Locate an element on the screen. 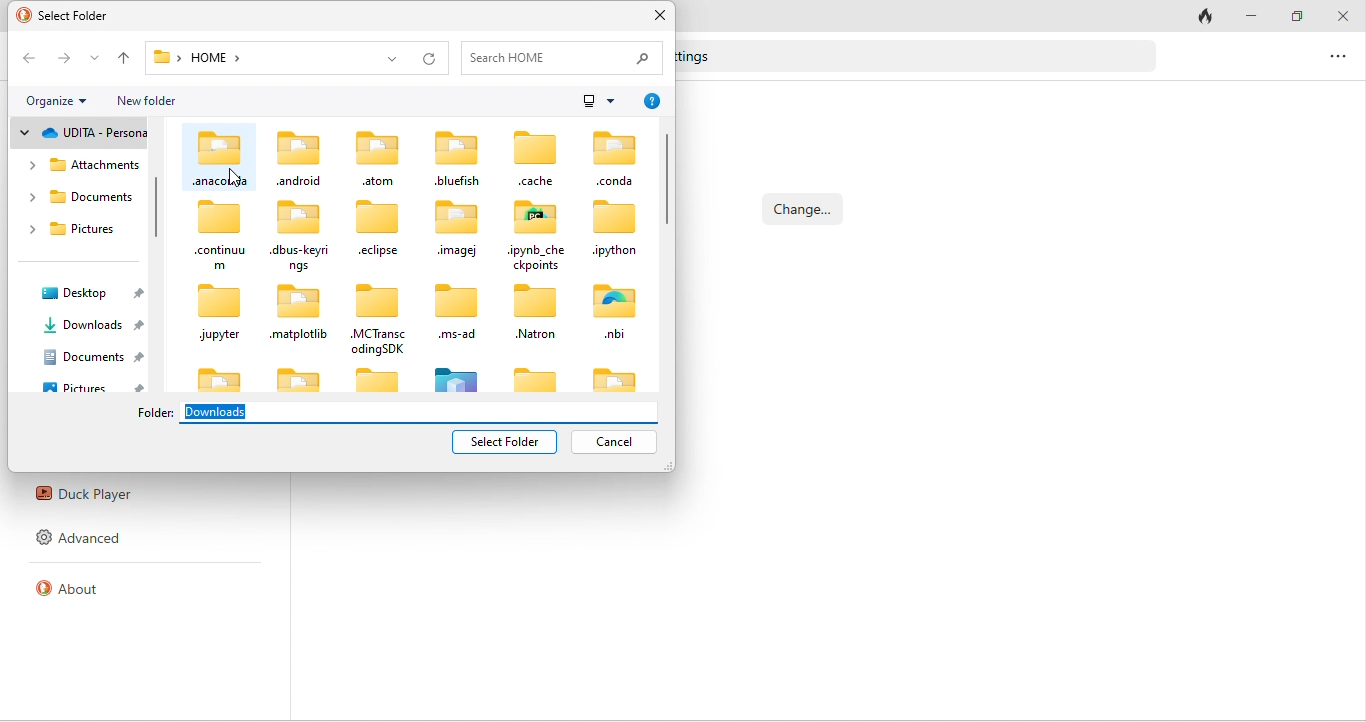 Image resolution: width=1366 pixels, height=722 pixels. more options is located at coordinates (598, 99).